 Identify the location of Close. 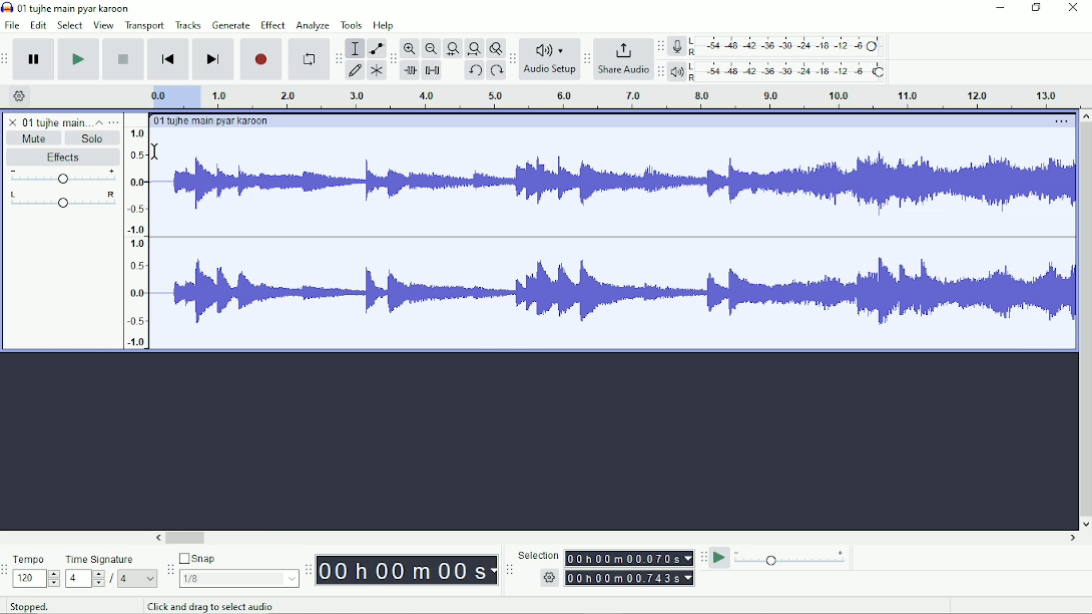
(1072, 9).